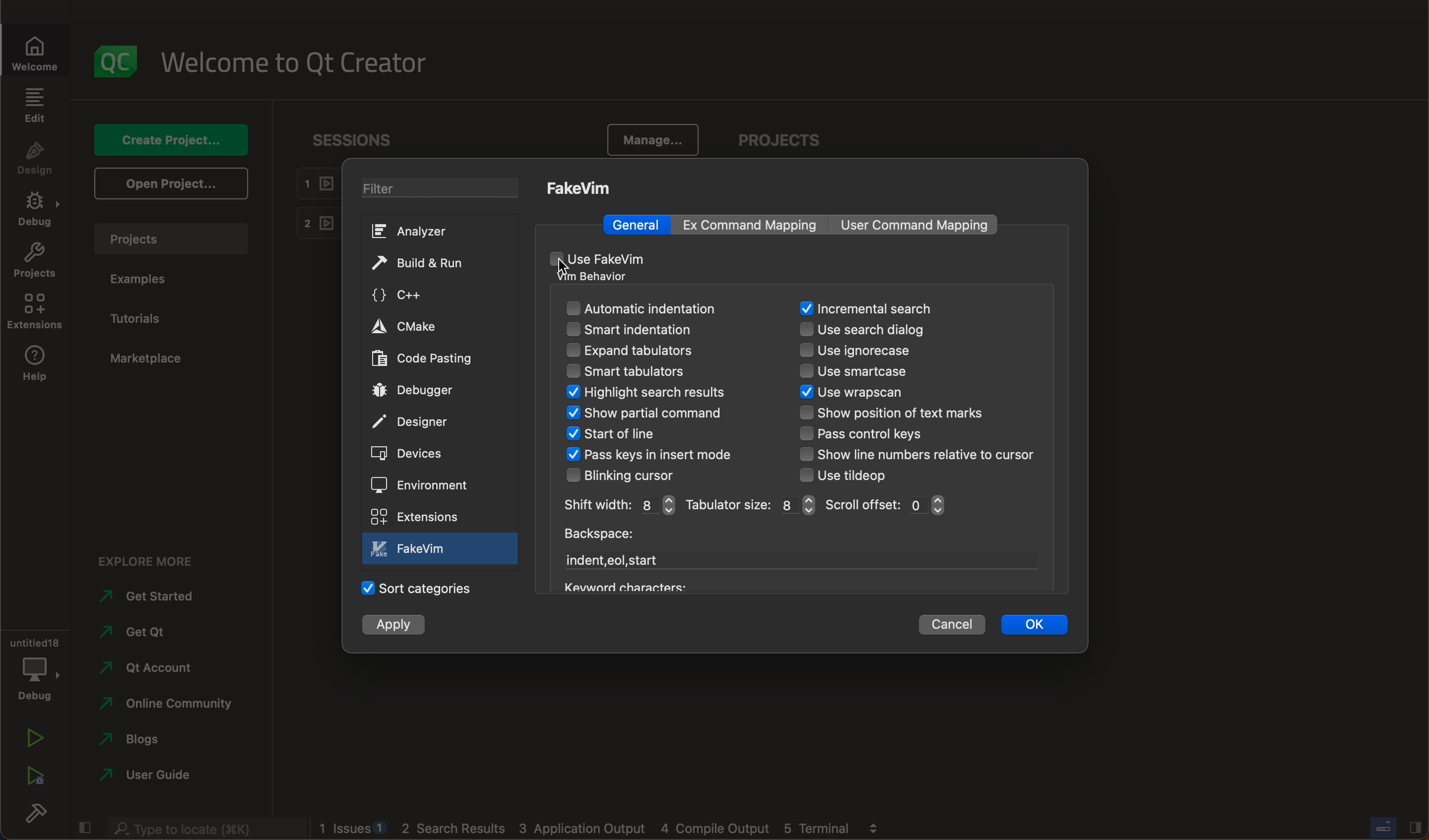 The width and height of the screenshot is (1429, 840). I want to click on ok, so click(1034, 626).